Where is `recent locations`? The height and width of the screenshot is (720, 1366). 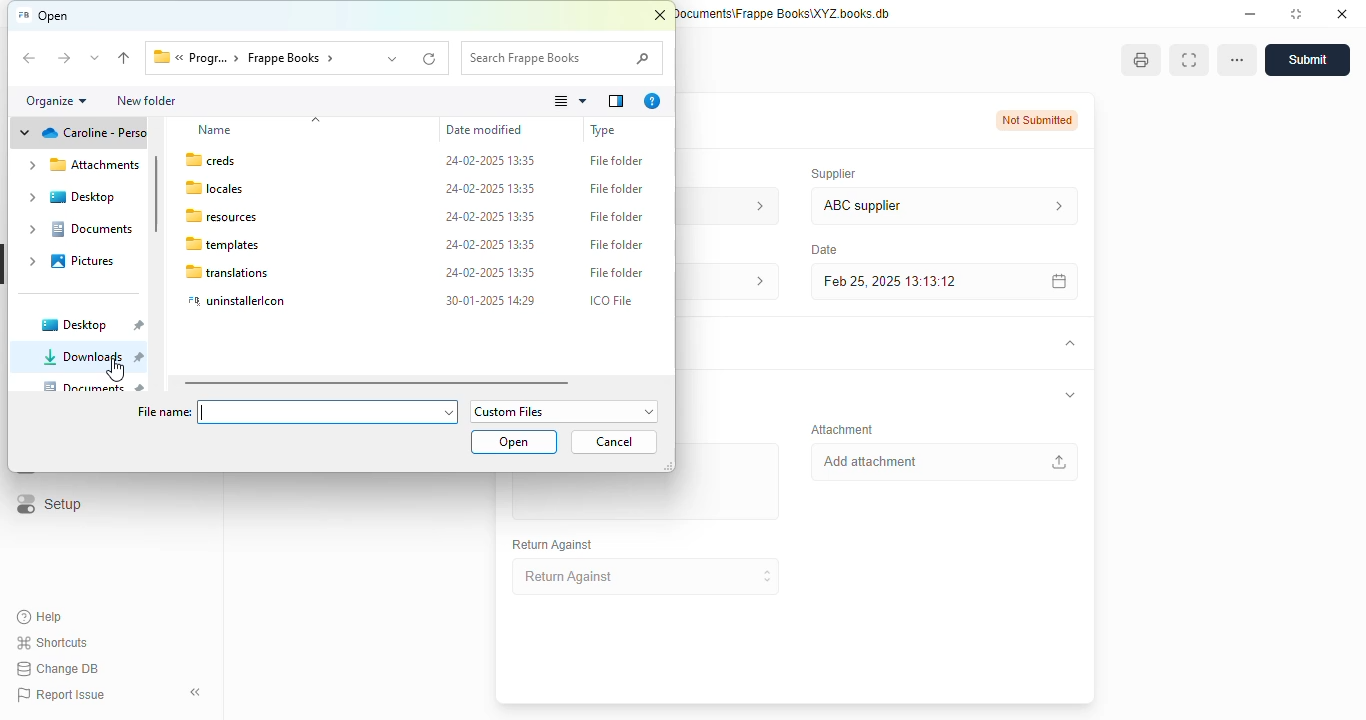
recent locations is located at coordinates (95, 58).